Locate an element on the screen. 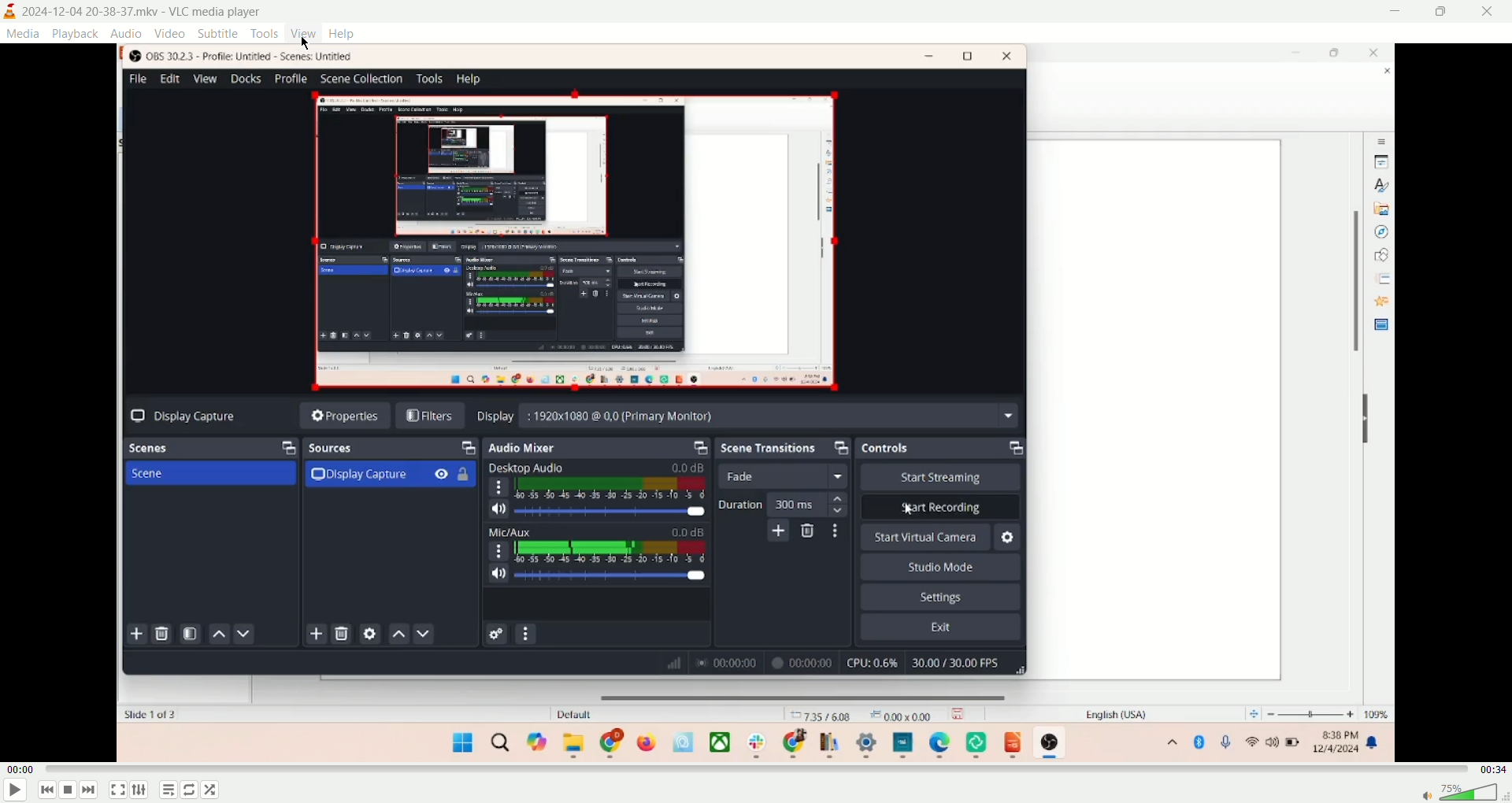  extended settings is located at coordinates (139, 790).